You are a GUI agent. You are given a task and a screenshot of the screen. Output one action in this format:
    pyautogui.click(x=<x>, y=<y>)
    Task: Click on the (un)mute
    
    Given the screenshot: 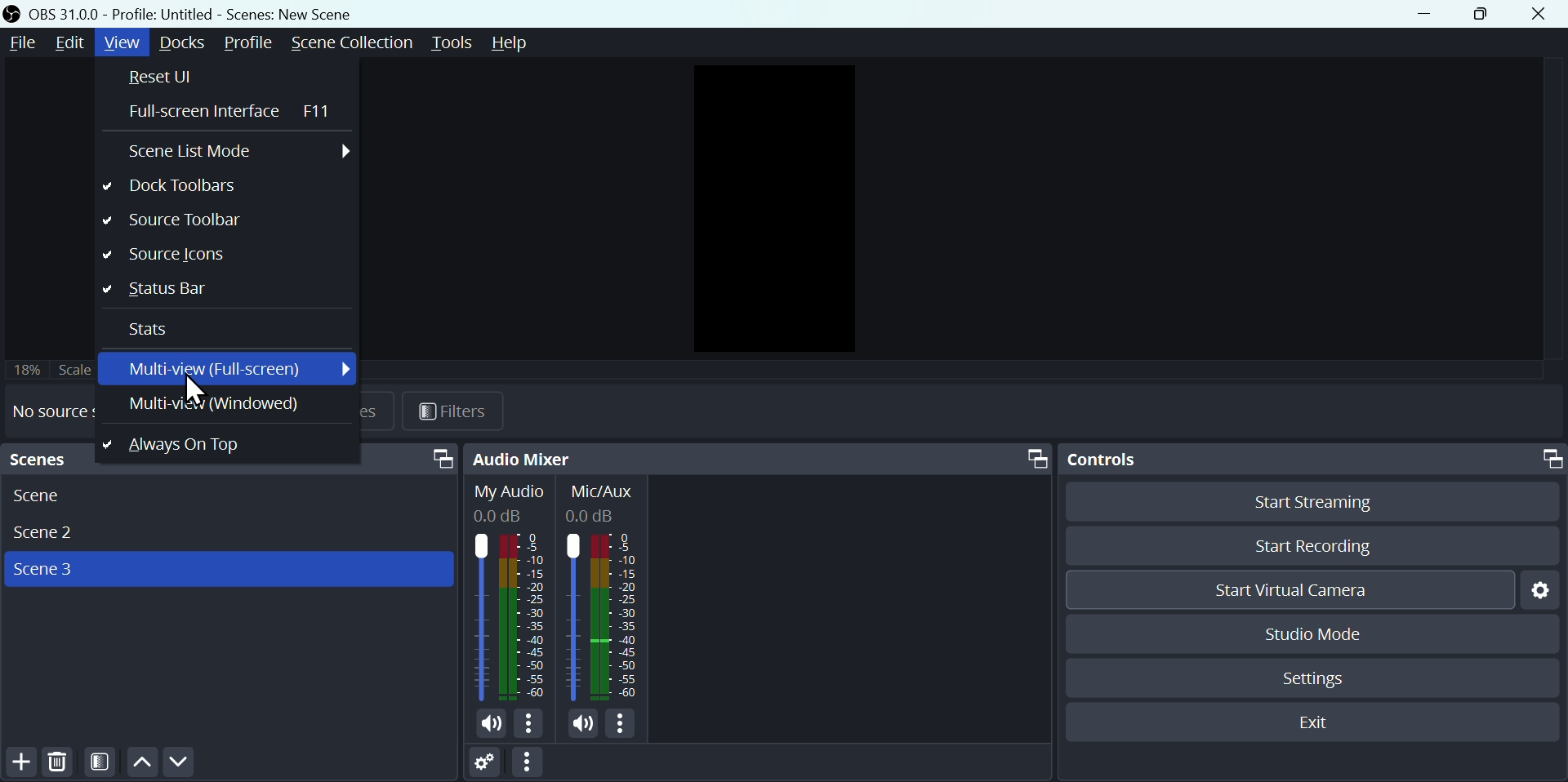 What is the action you would take?
    pyautogui.click(x=490, y=725)
    